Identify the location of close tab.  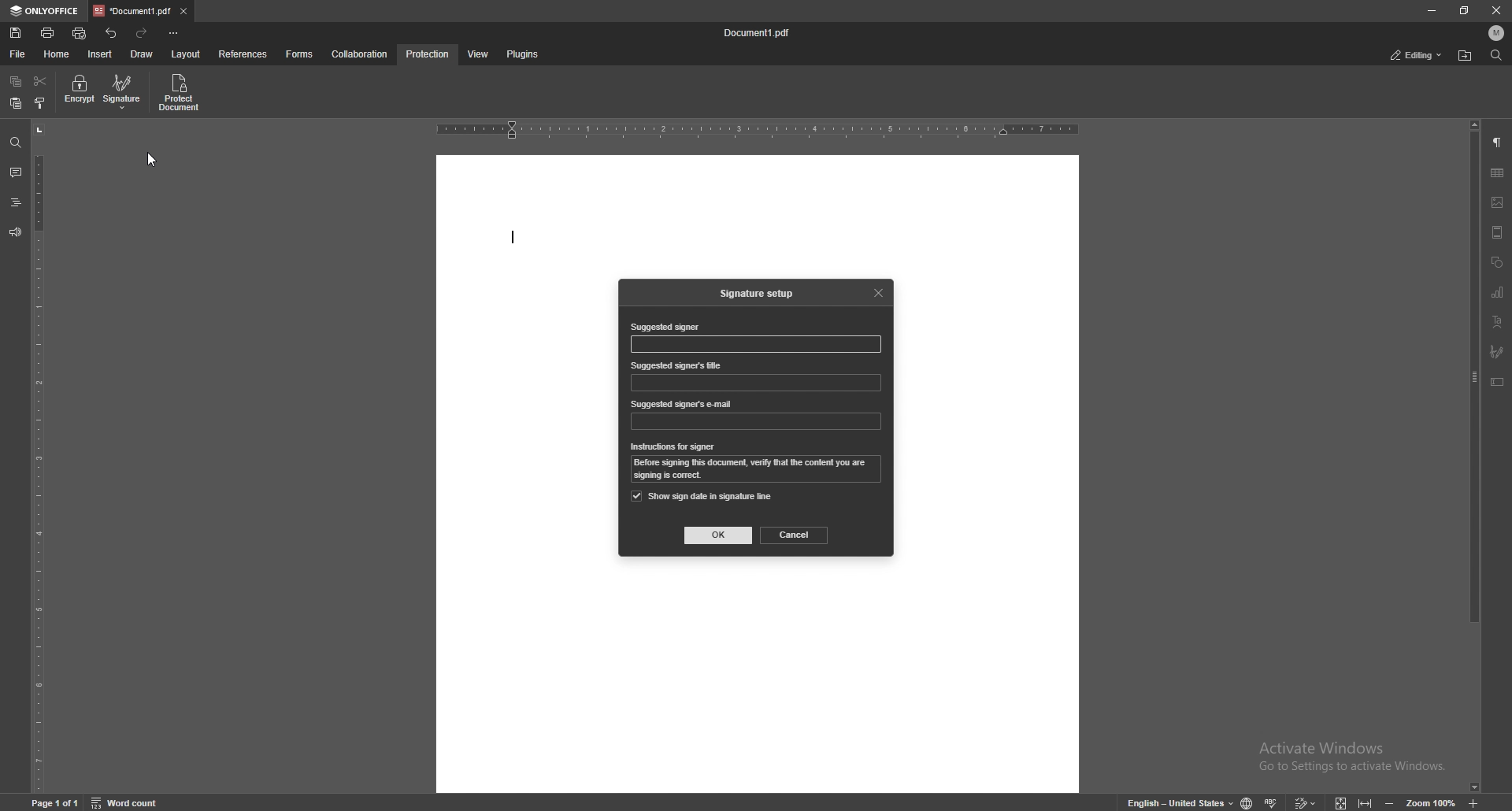
(184, 10).